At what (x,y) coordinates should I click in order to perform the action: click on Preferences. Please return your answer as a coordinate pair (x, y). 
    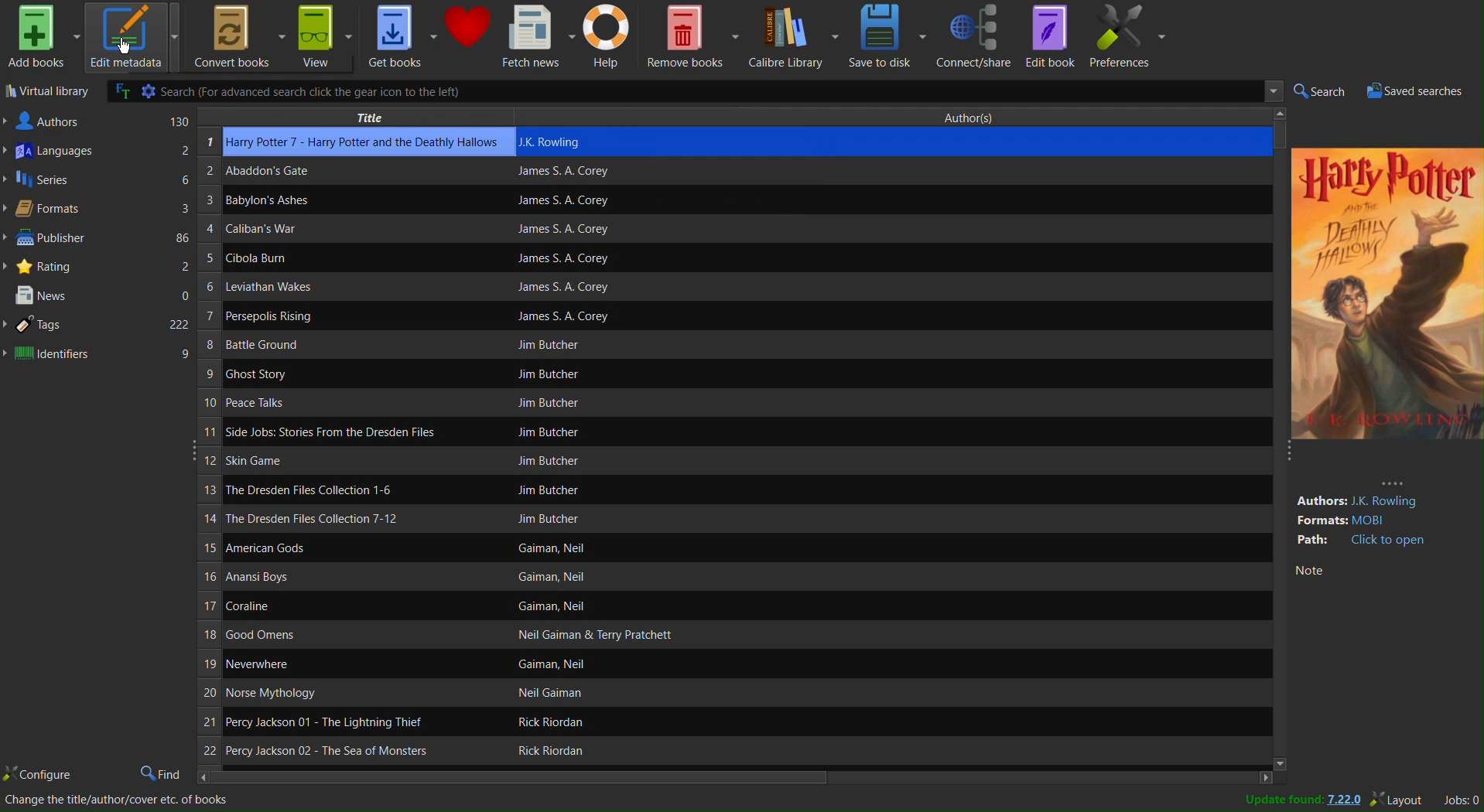
    Looking at the image, I should click on (1130, 37).